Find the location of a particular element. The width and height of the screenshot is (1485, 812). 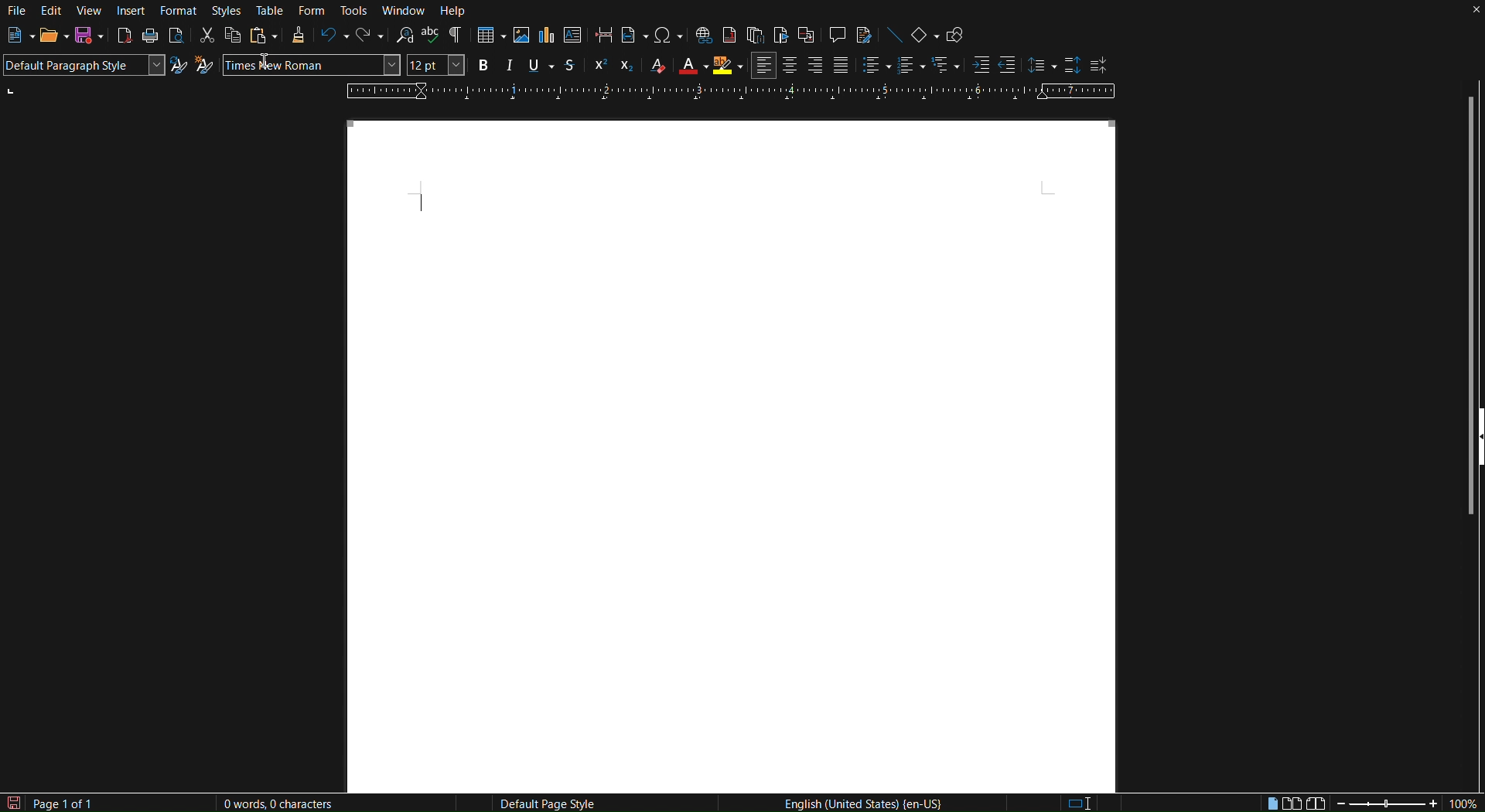

Styles is located at coordinates (224, 11).